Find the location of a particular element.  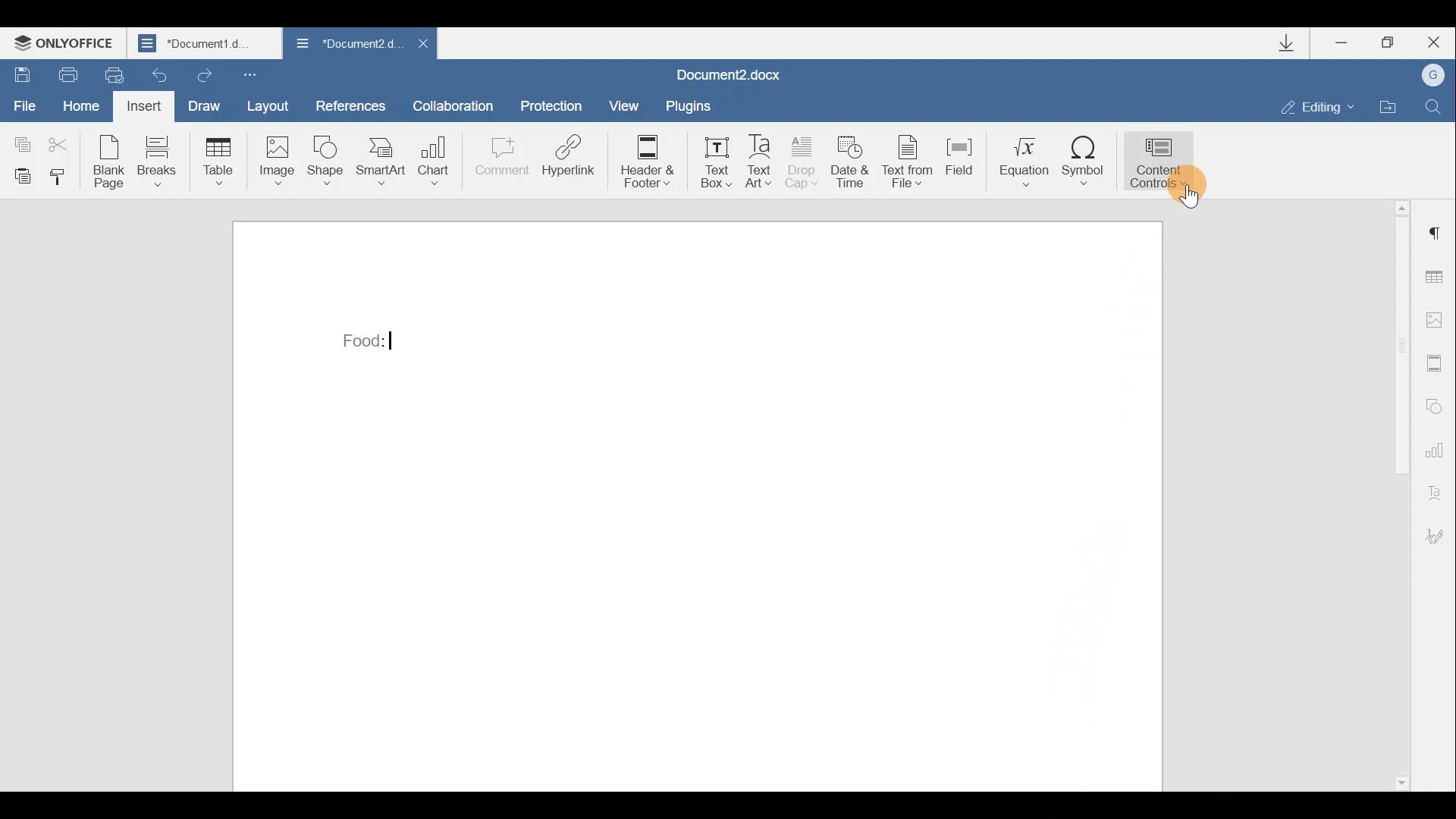

Protection is located at coordinates (555, 108).